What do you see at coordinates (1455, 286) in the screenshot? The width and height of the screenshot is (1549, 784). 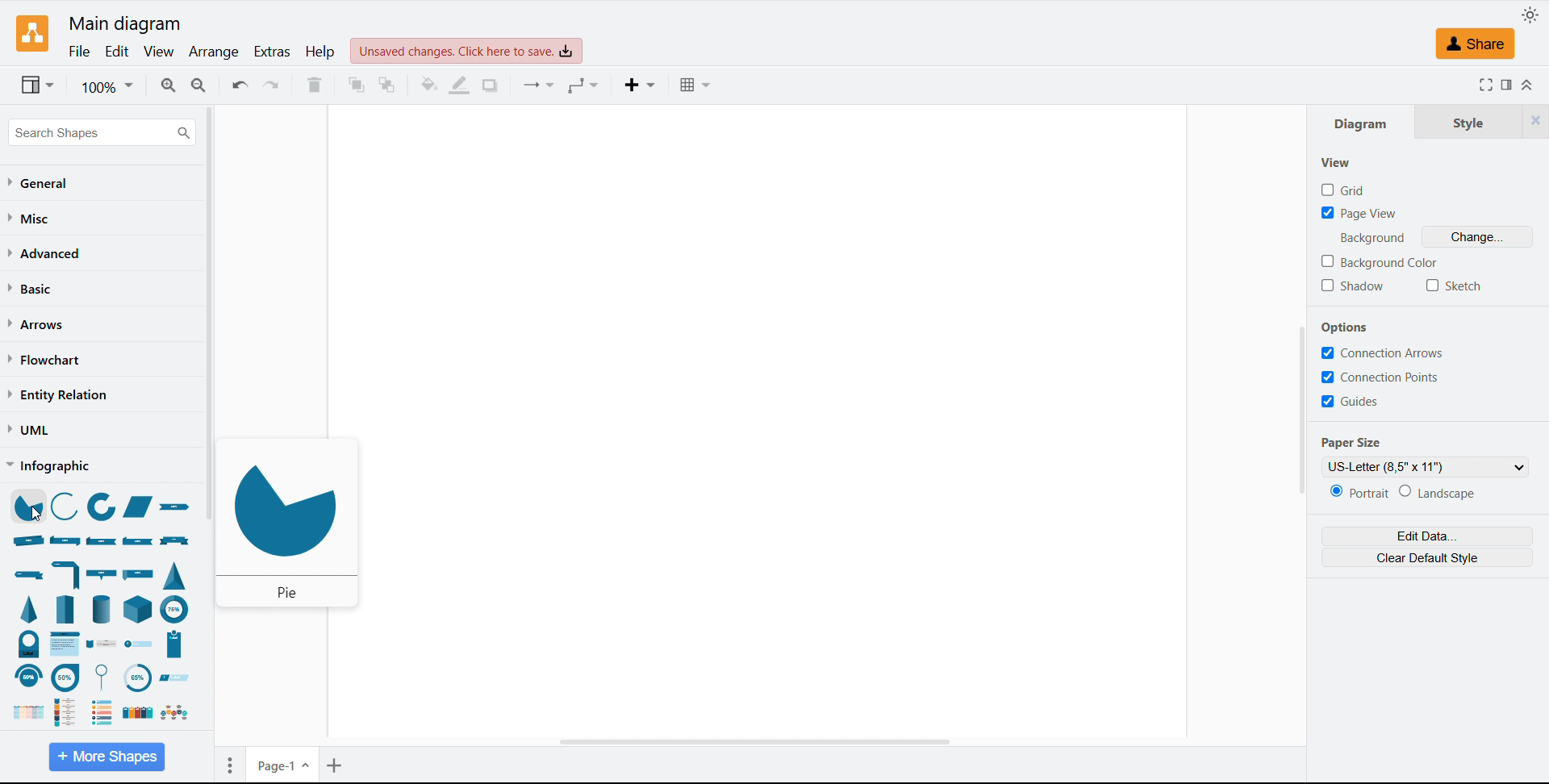 I see `Sketch ` at bounding box center [1455, 286].